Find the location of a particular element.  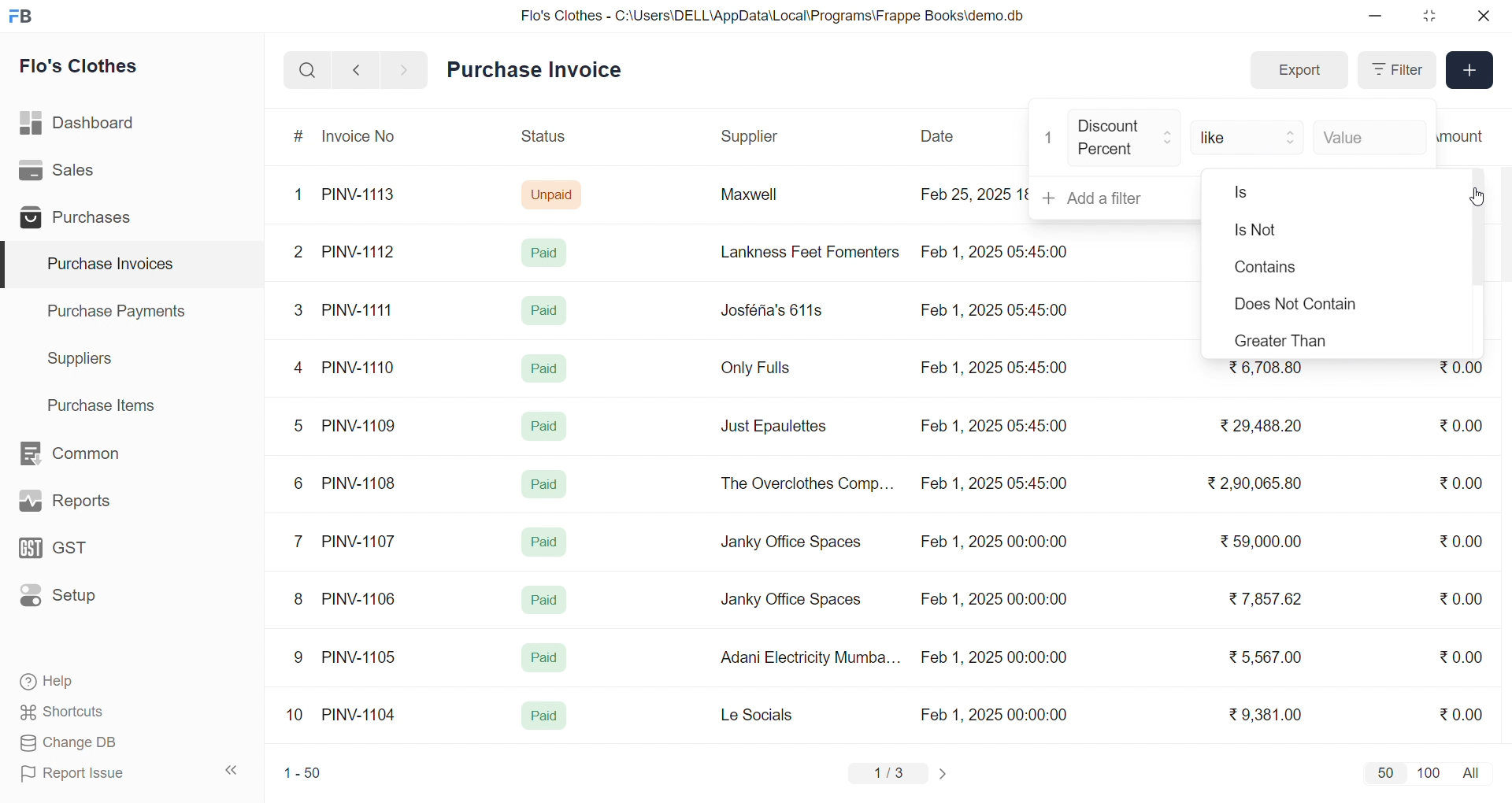

Paid is located at coordinates (543, 658).